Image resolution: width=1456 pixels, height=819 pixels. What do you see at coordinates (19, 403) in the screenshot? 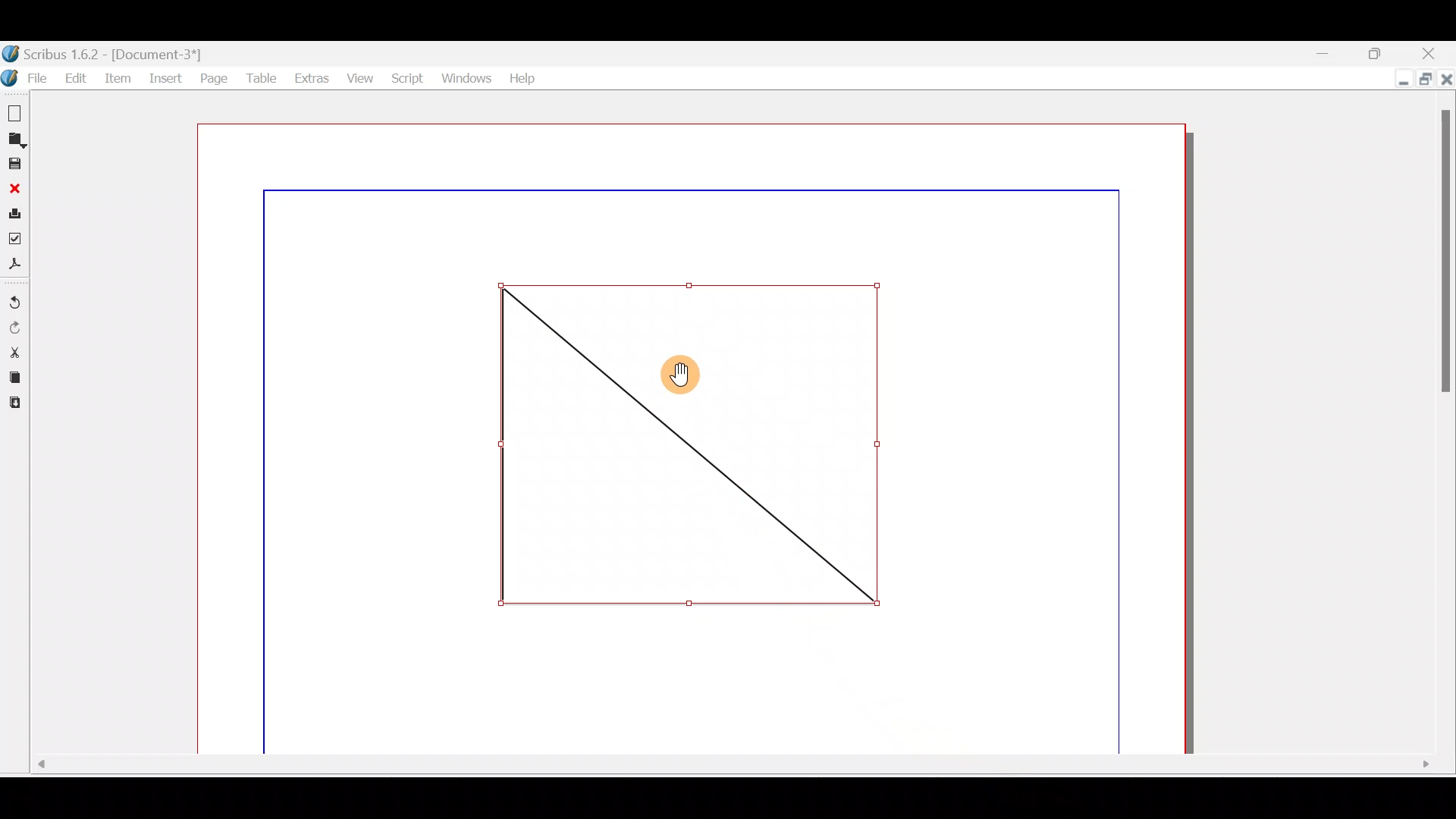
I see `Paste` at bounding box center [19, 403].